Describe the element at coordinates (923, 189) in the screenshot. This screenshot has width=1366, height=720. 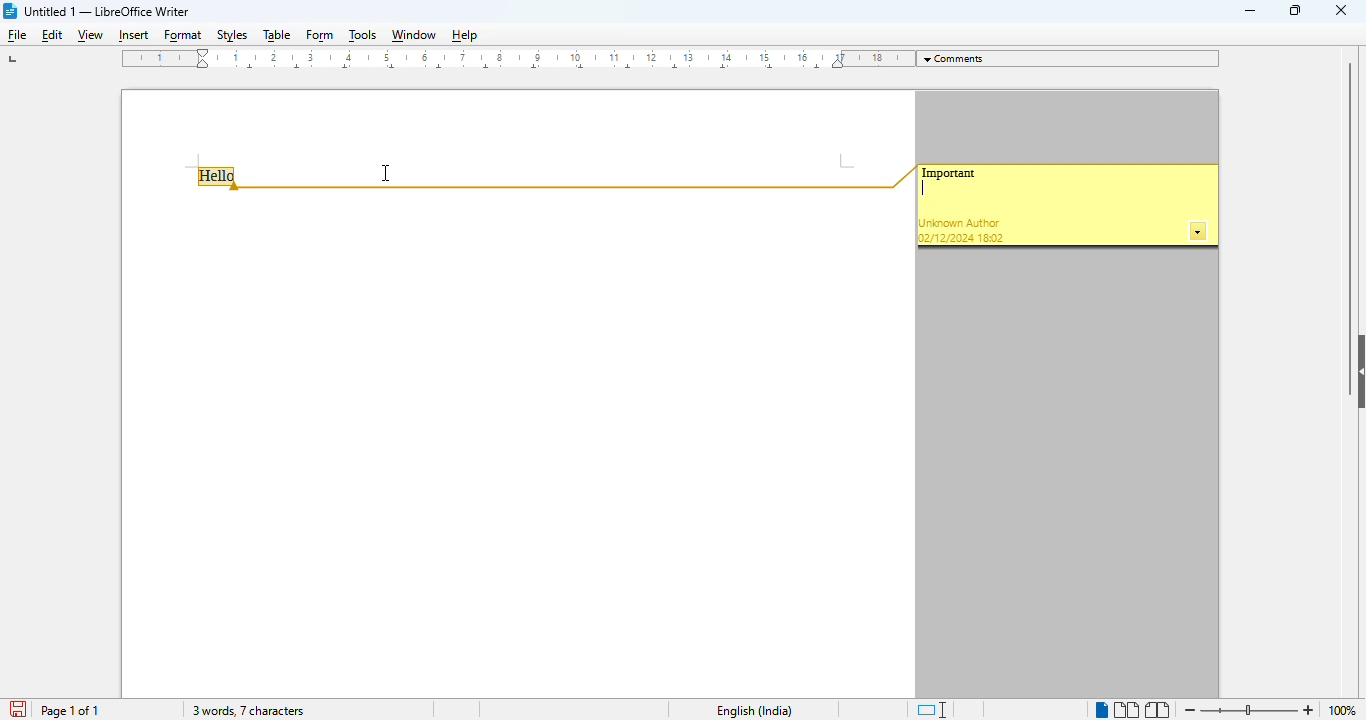
I see `typing cursor` at that location.